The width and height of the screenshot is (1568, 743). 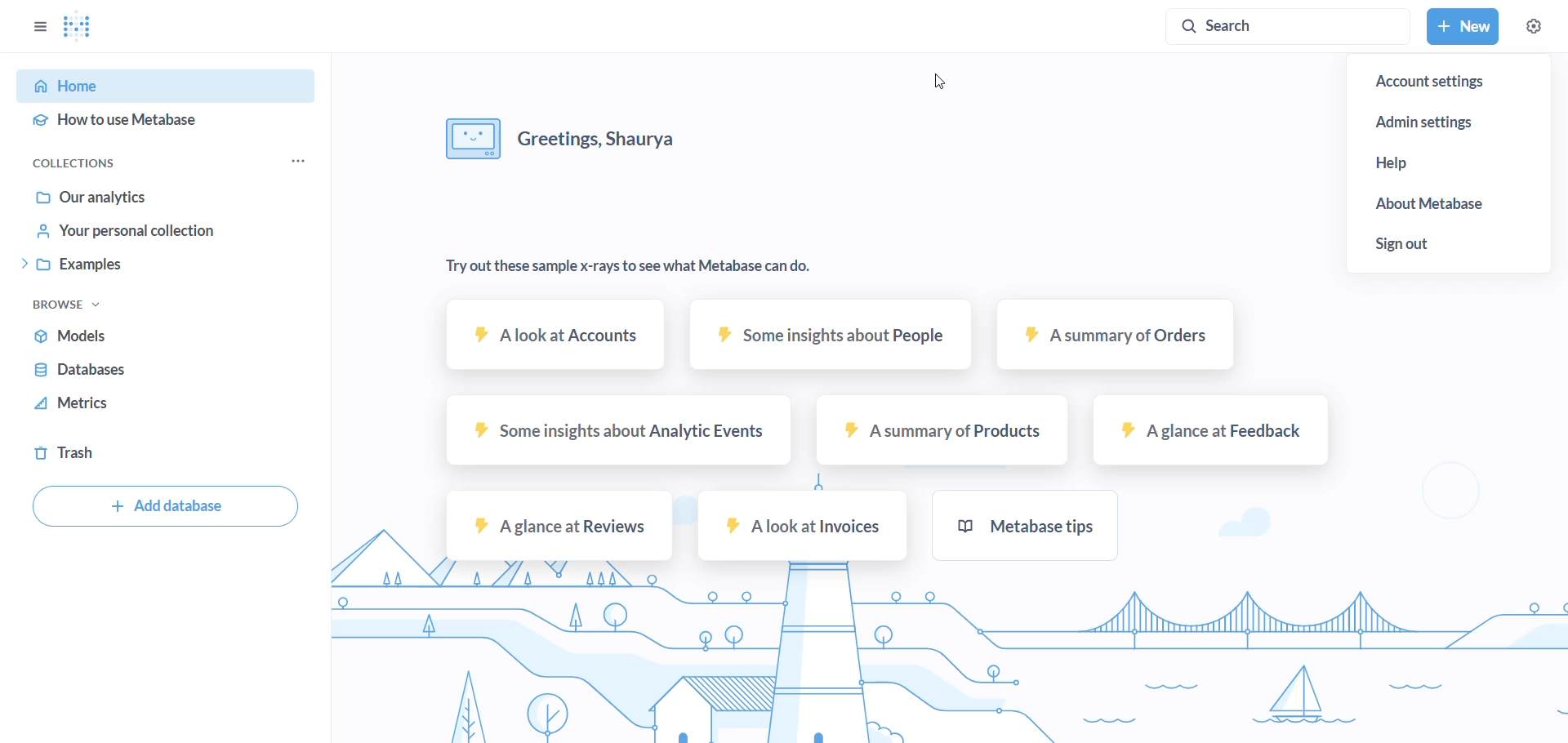 I want to click on our analytics, so click(x=135, y=195).